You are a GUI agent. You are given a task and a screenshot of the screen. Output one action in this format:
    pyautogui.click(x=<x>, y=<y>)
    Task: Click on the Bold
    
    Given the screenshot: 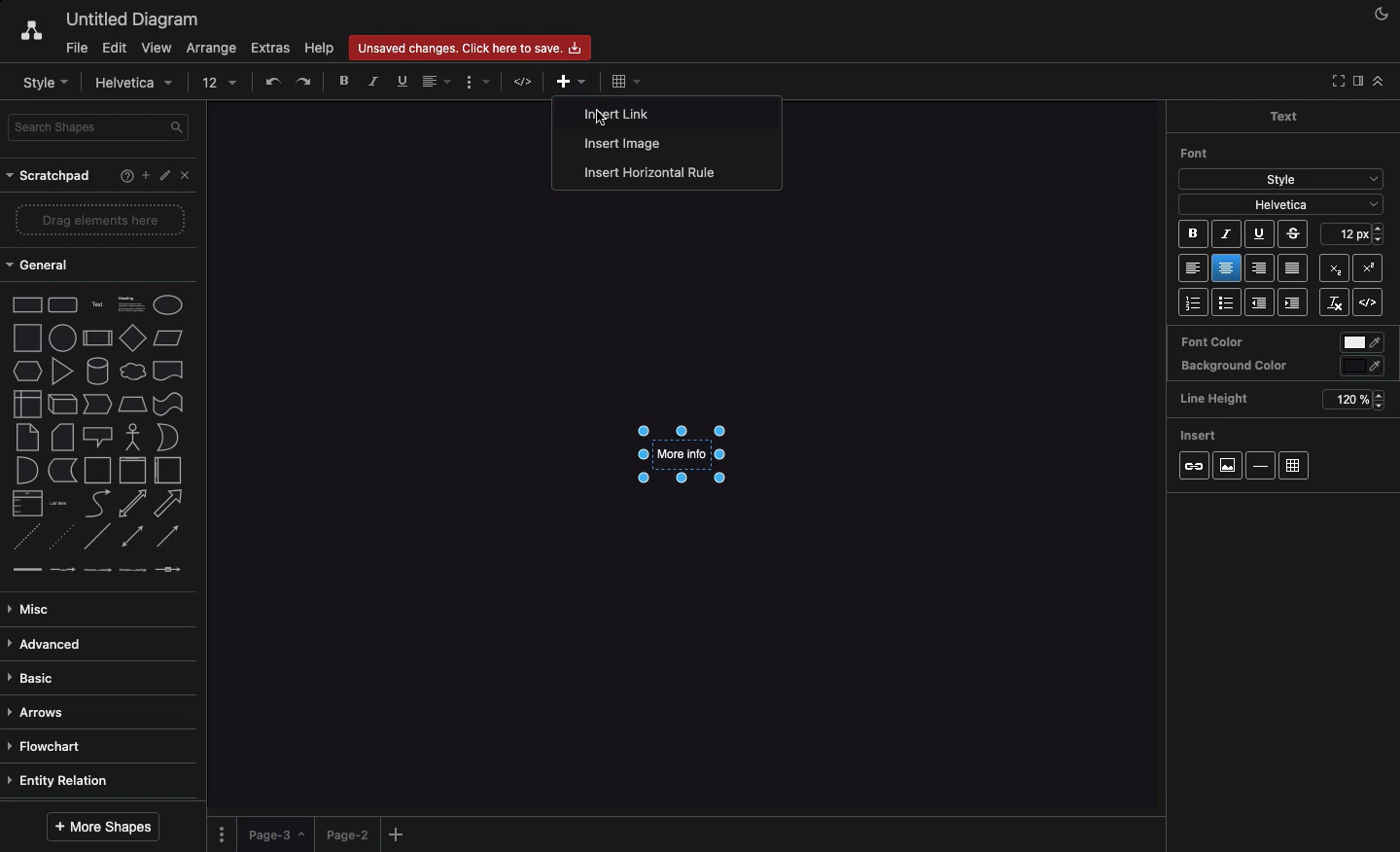 What is the action you would take?
    pyautogui.click(x=1194, y=236)
    